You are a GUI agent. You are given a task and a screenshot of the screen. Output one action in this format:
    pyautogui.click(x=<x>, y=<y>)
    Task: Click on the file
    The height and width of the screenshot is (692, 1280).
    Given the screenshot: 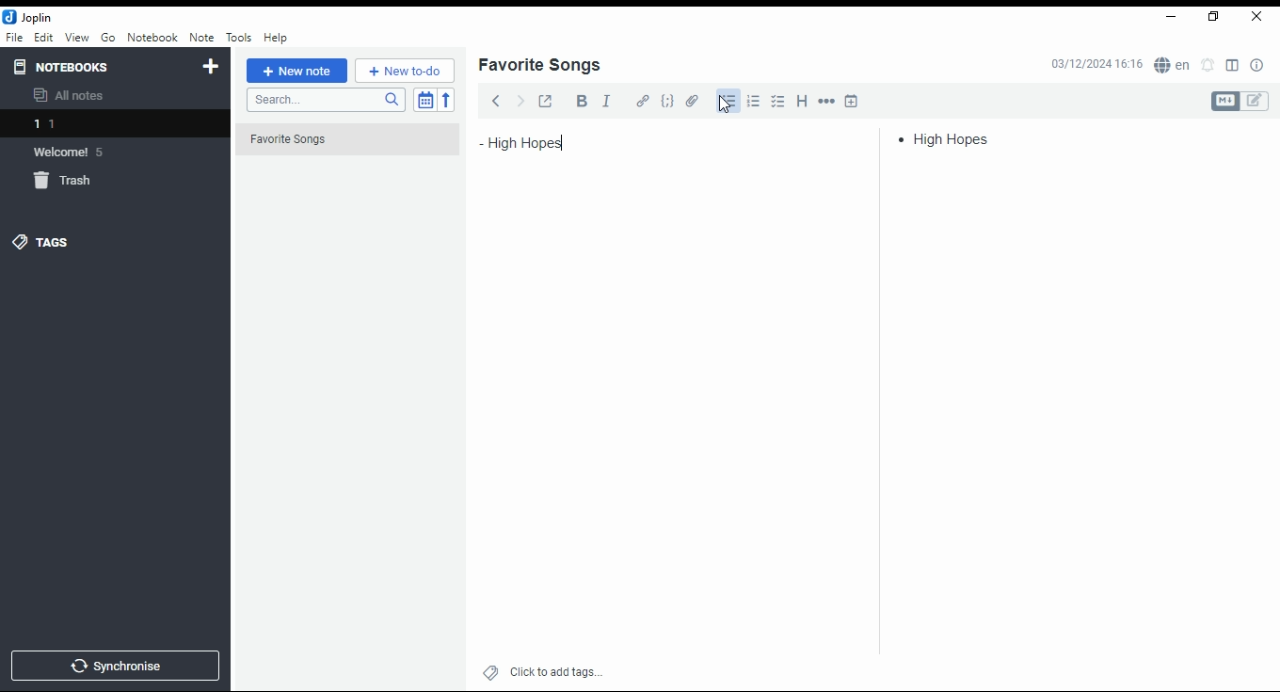 What is the action you would take?
    pyautogui.click(x=14, y=36)
    